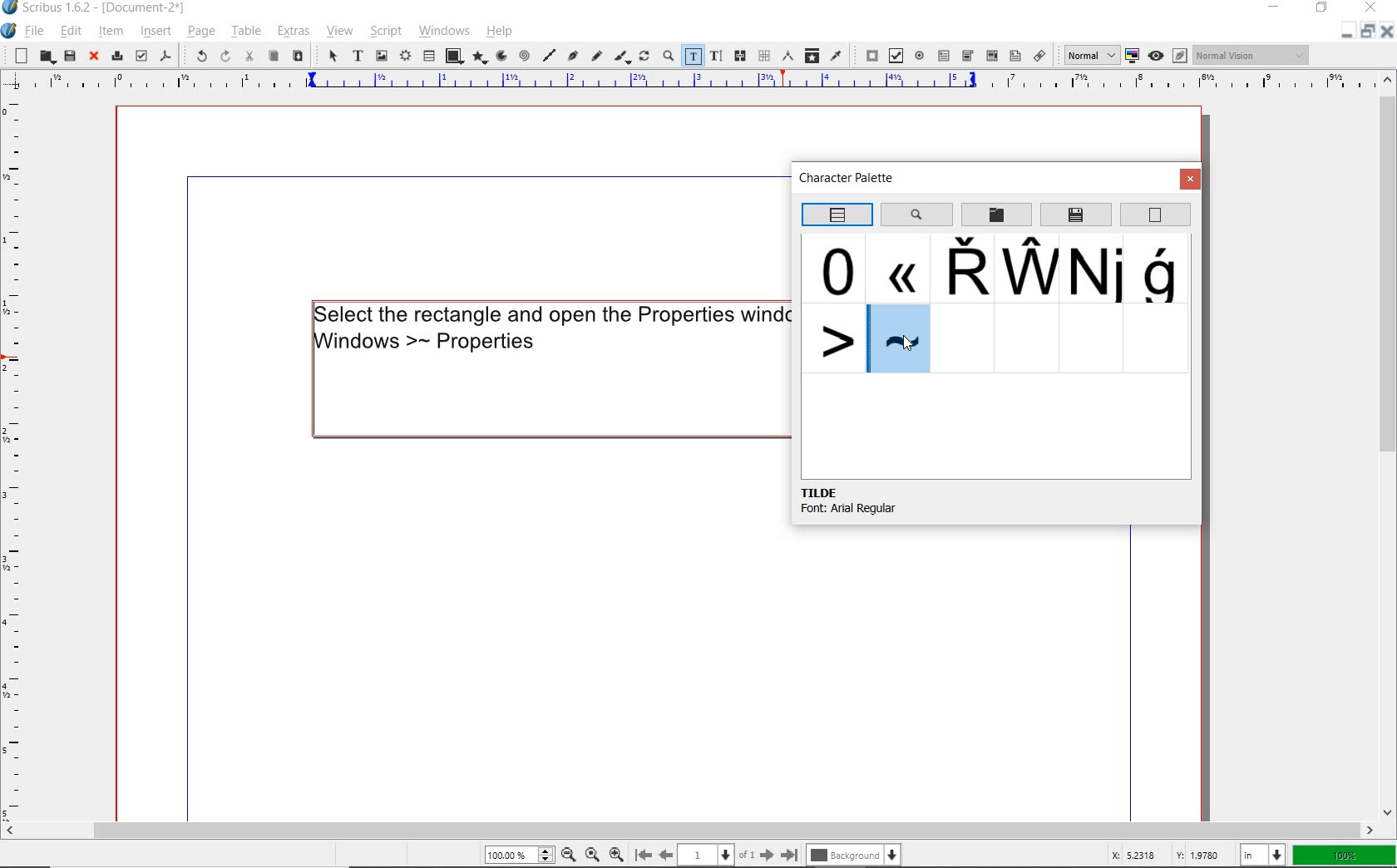 This screenshot has width=1397, height=868. I want to click on pdf push button, so click(867, 53).